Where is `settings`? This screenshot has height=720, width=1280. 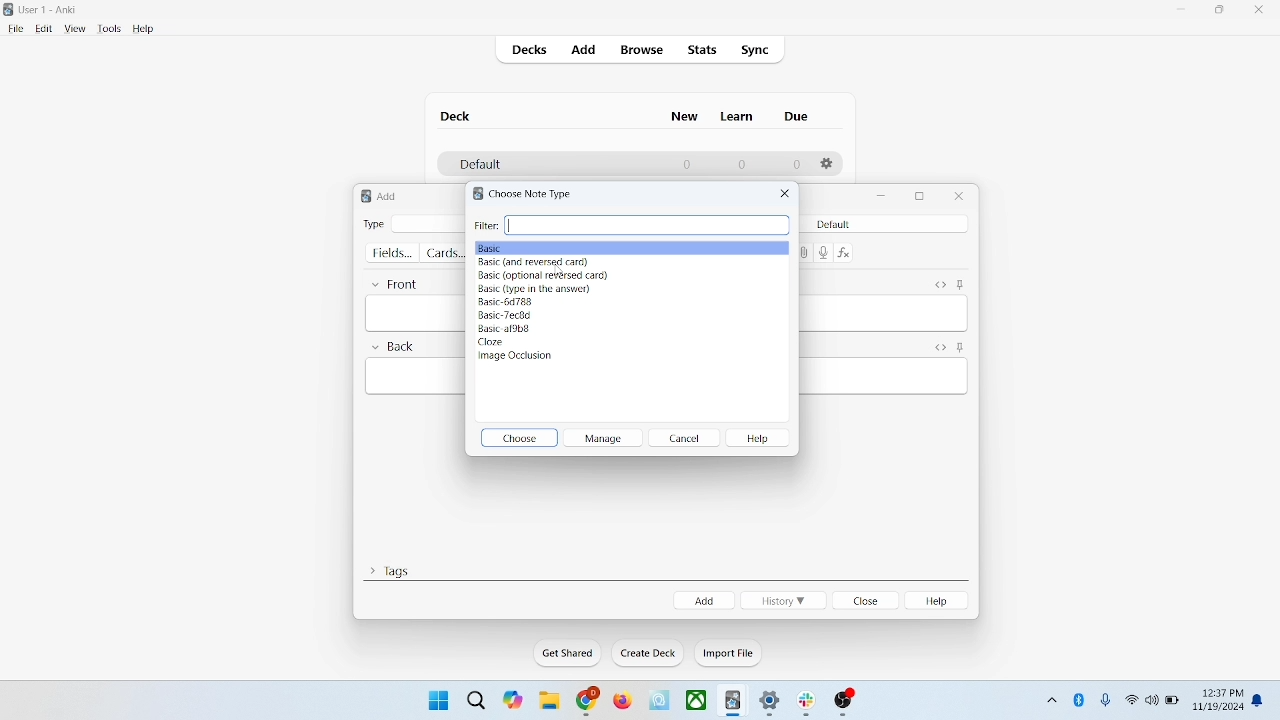
settings is located at coordinates (771, 704).